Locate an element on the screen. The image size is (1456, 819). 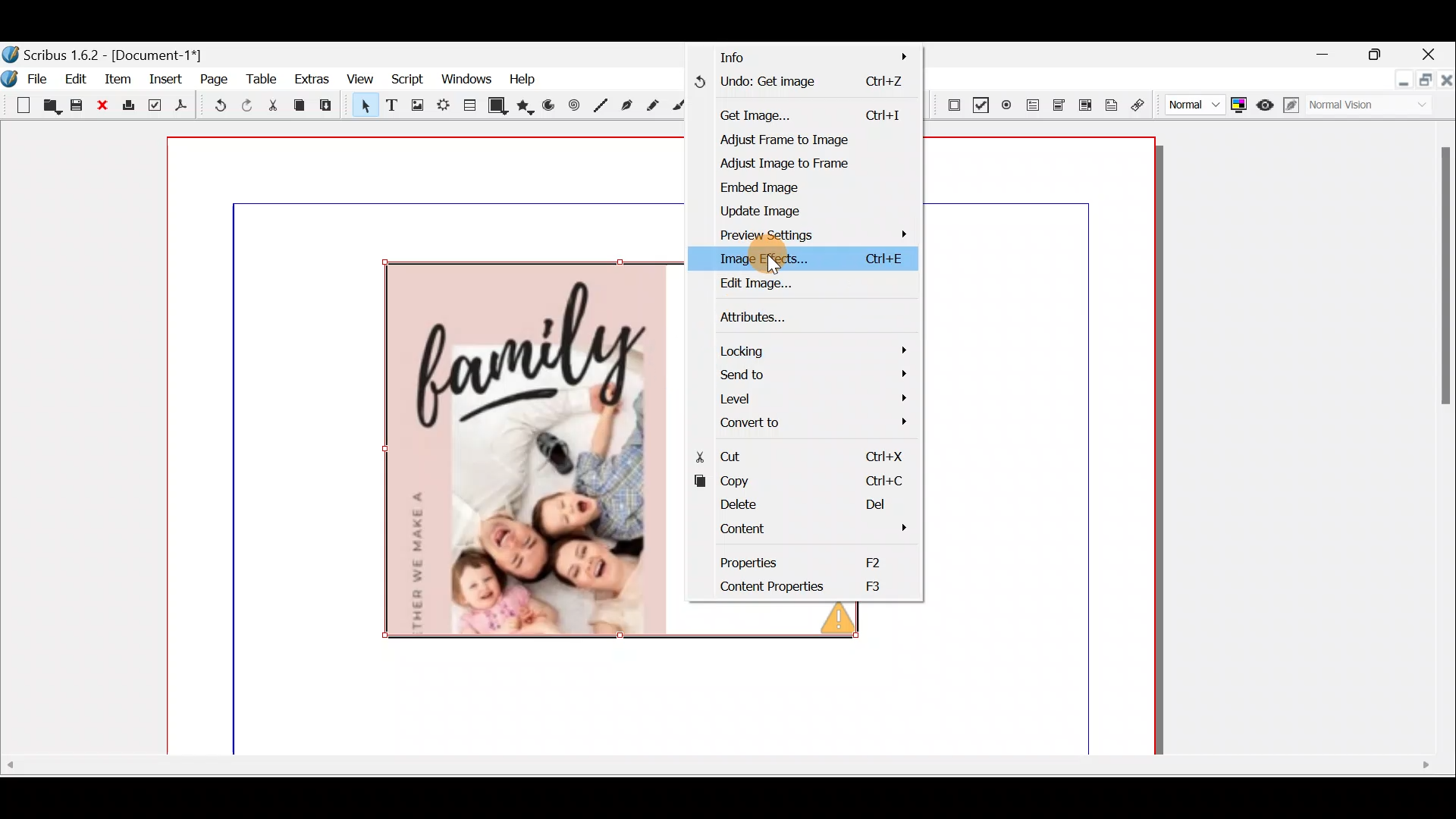
PDF radio button is located at coordinates (1005, 105).